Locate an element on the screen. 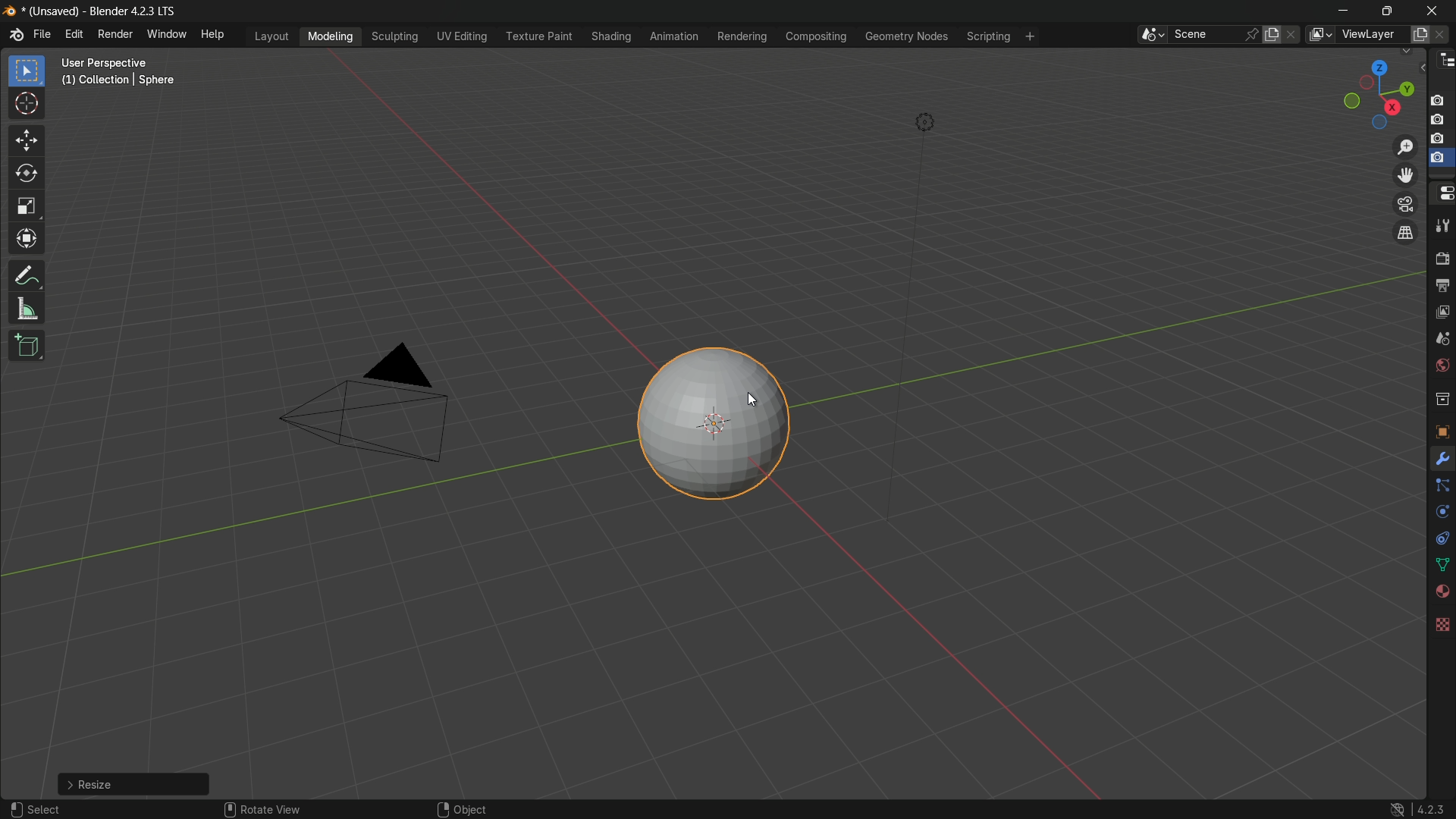 This screenshot has height=819, width=1456. browse scenes is located at coordinates (1150, 35).